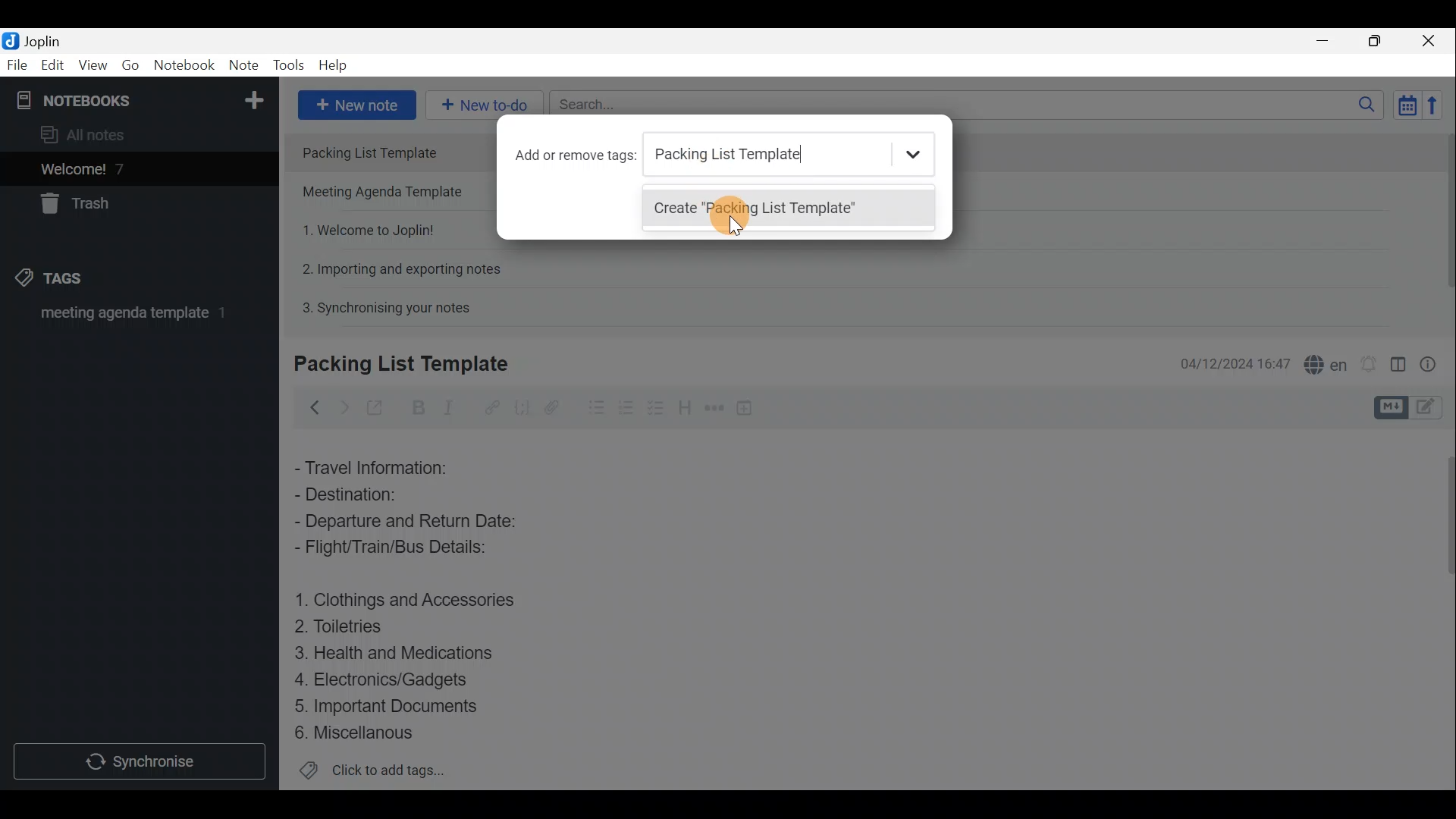  What do you see at coordinates (15, 64) in the screenshot?
I see `File` at bounding box center [15, 64].